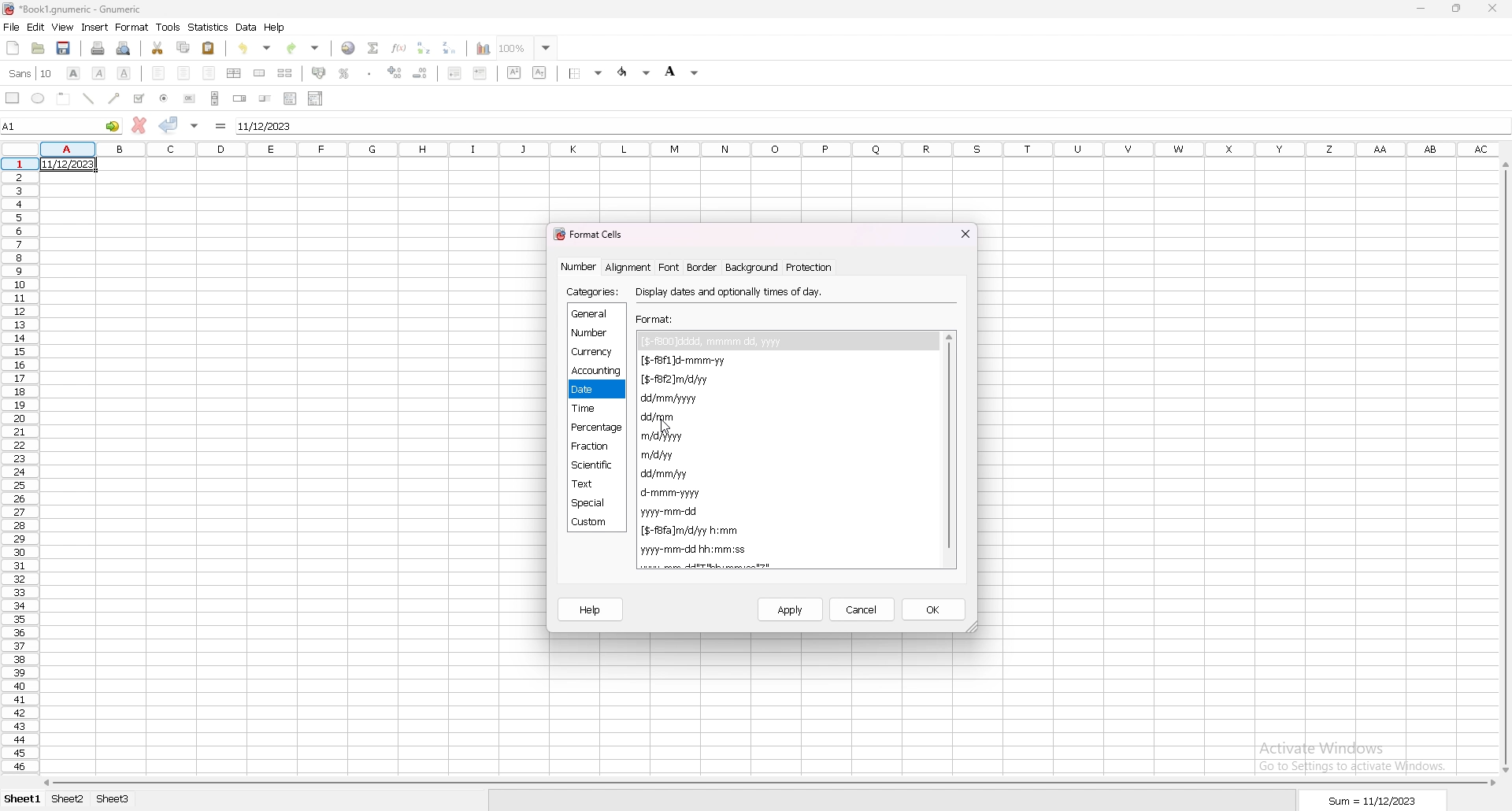 This screenshot has height=811, width=1512. I want to click on ok, so click(935, 609).